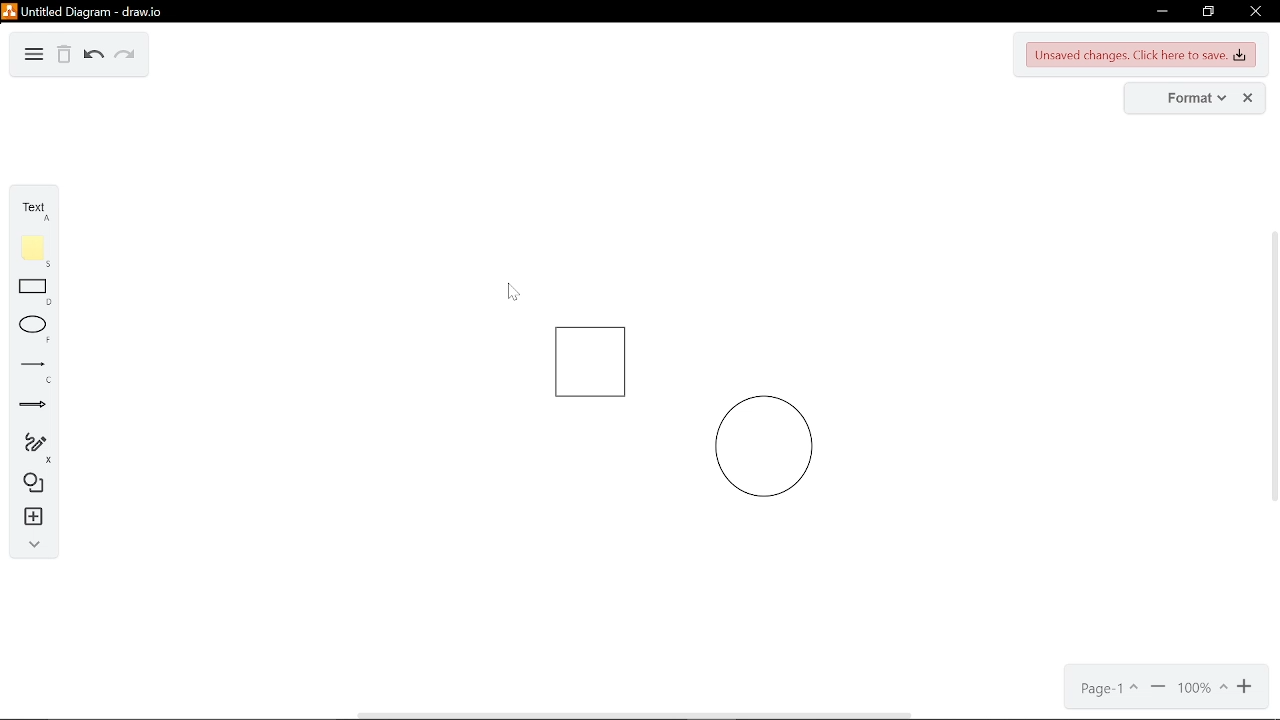  Describe the element at coordinates (506, 289) in the screenshot. I see `cursor` at that location.